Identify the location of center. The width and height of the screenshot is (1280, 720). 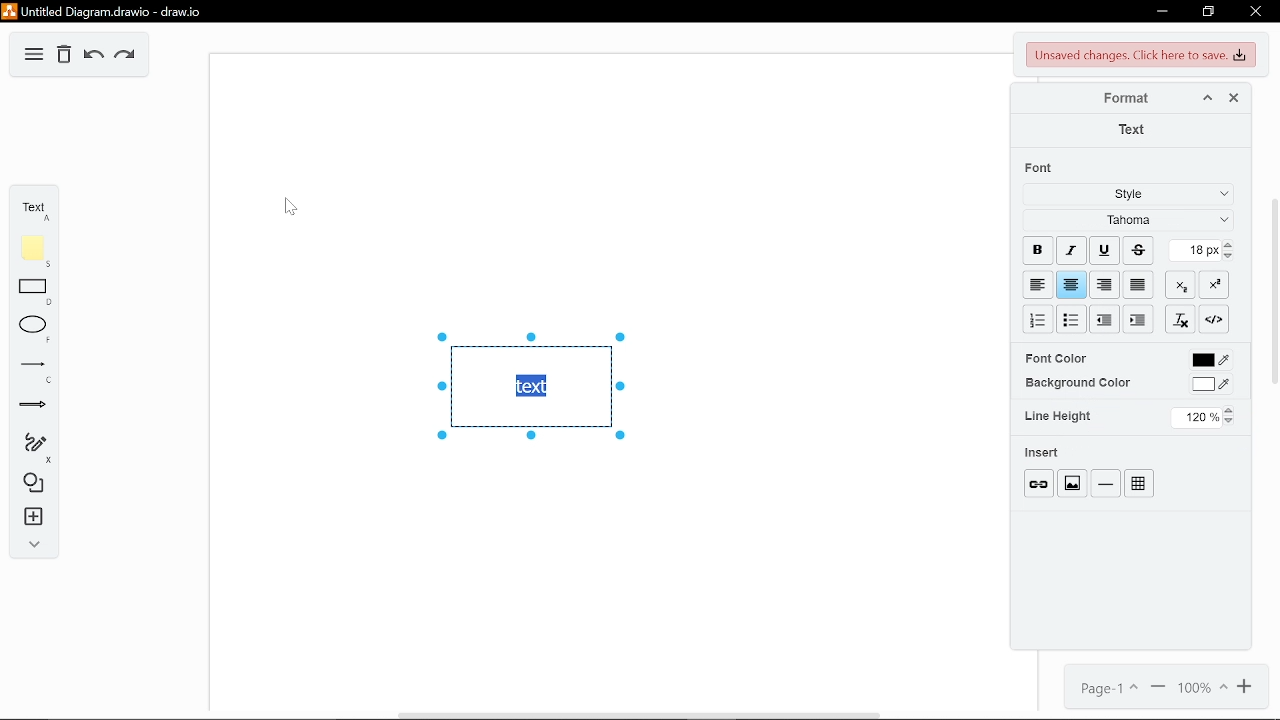
(1071, 285).